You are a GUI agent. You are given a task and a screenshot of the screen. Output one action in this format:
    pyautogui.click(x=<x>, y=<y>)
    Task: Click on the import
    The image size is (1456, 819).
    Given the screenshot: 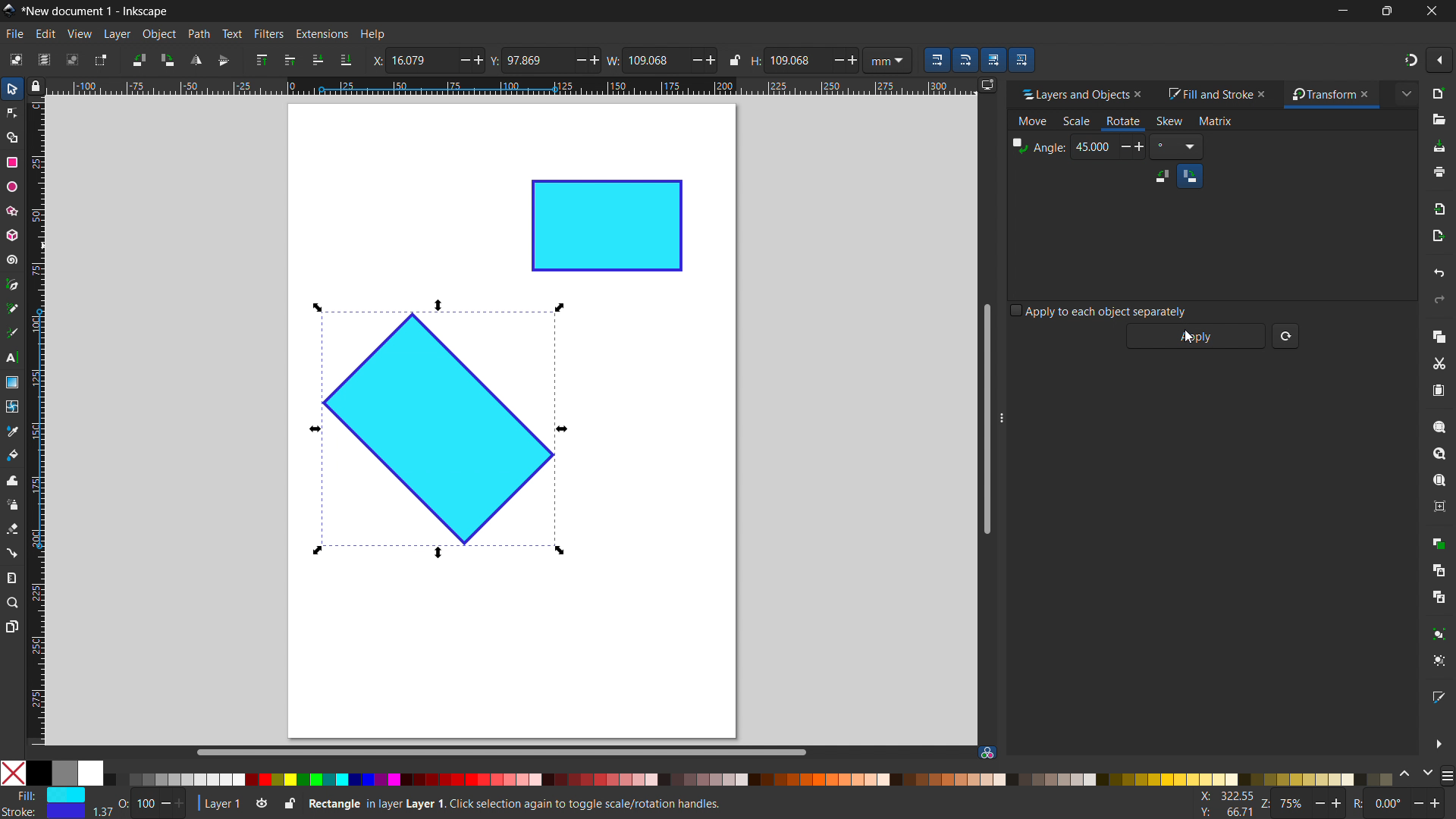 What is the action you would take?
    pyautogui.click(x=1441, y=208)
    